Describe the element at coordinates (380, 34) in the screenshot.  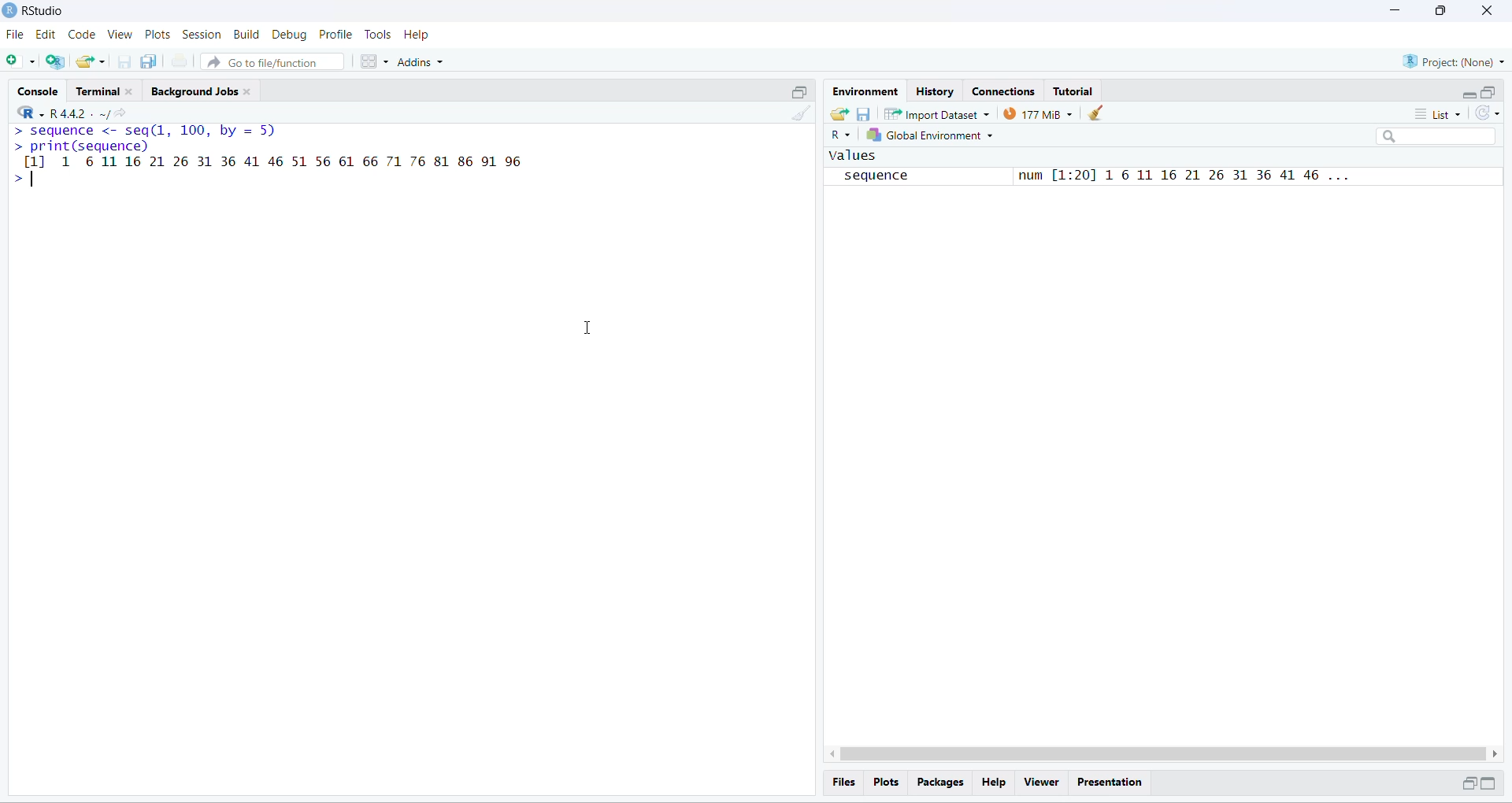
I see `tools` at that location.